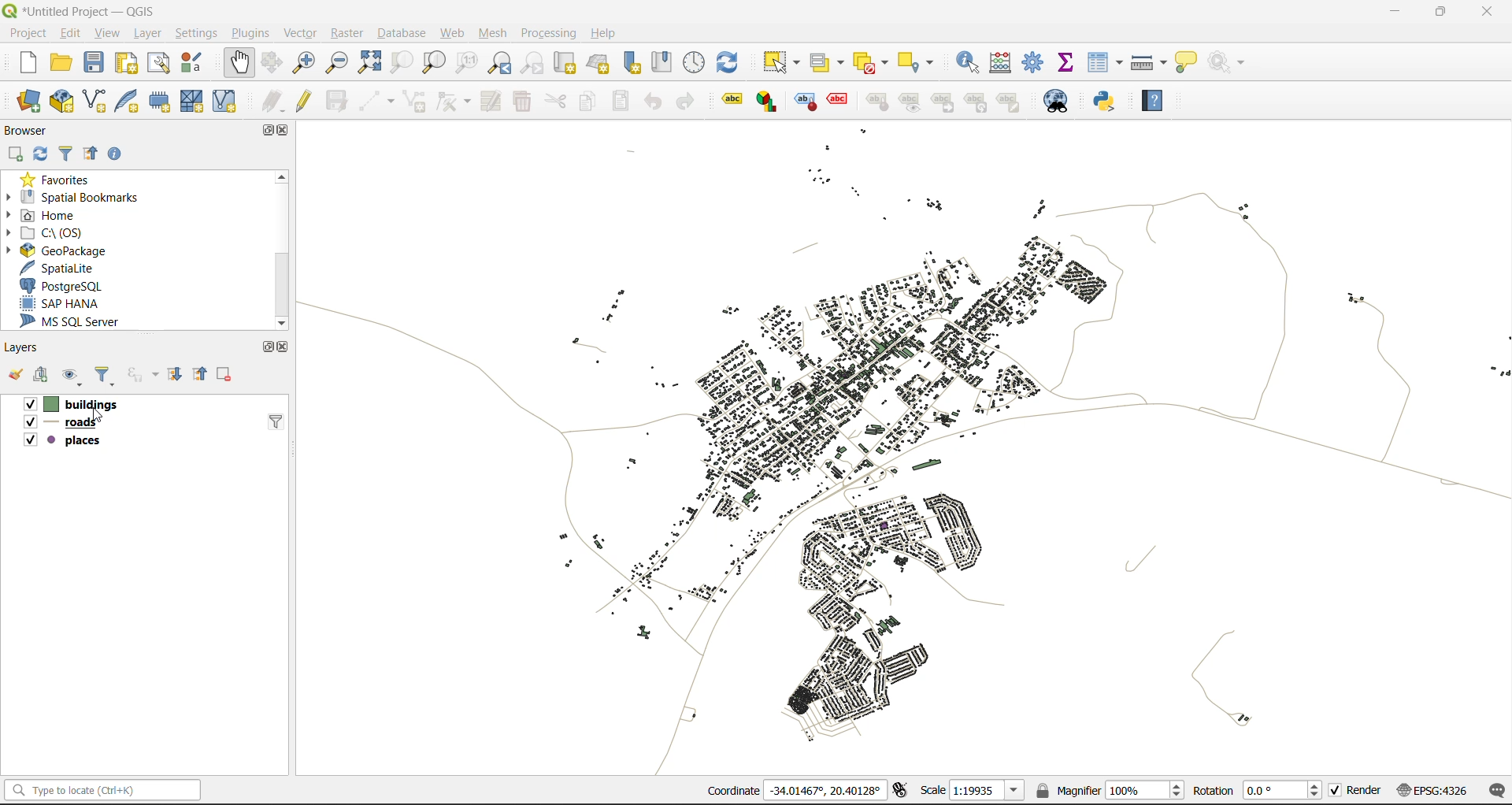  Describe the element at coordinates (32, 102) in the screenshot. I see `open data source manager` at that location.